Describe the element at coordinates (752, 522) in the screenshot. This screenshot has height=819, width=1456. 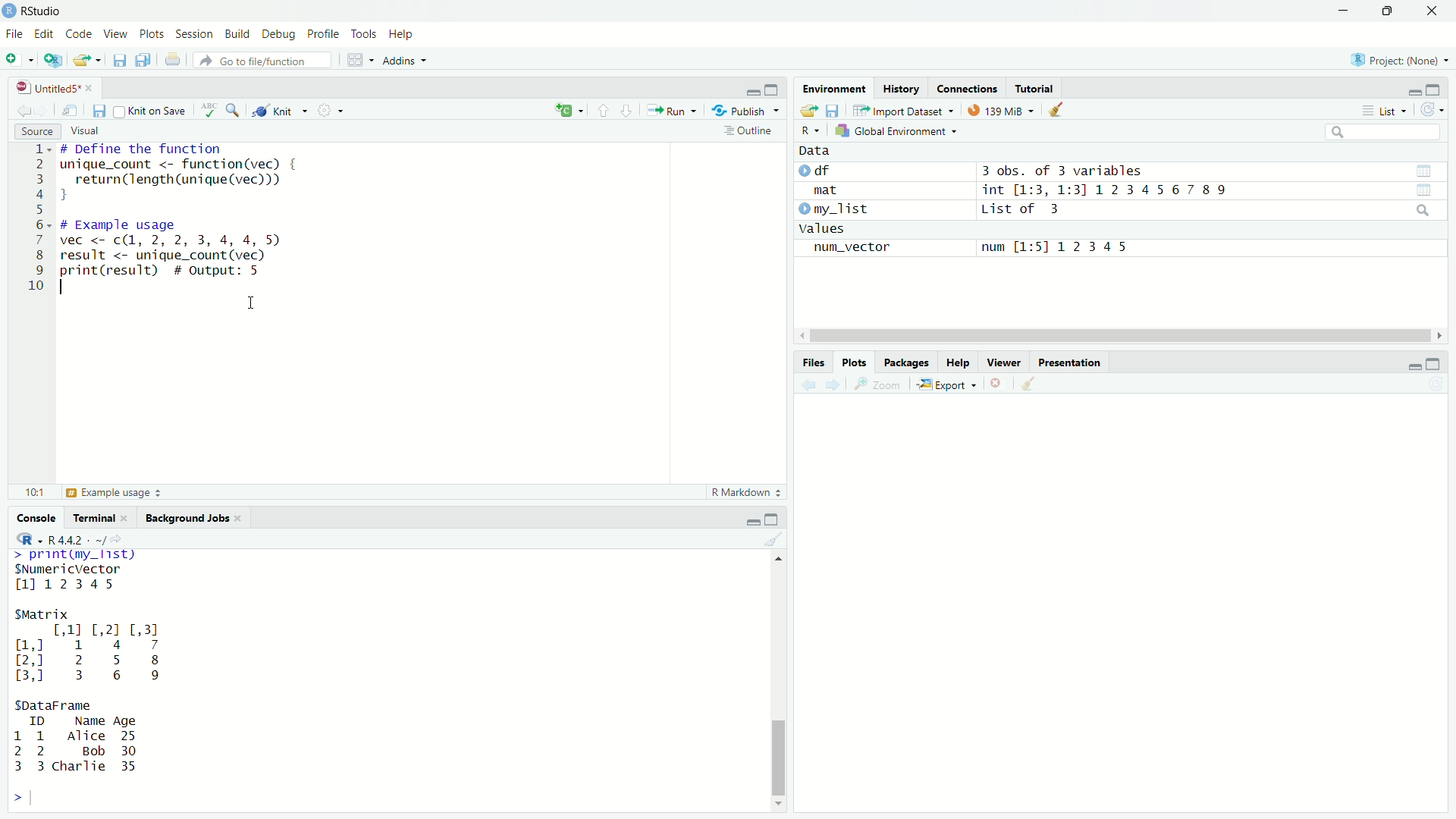
I see `minimize` at that location.